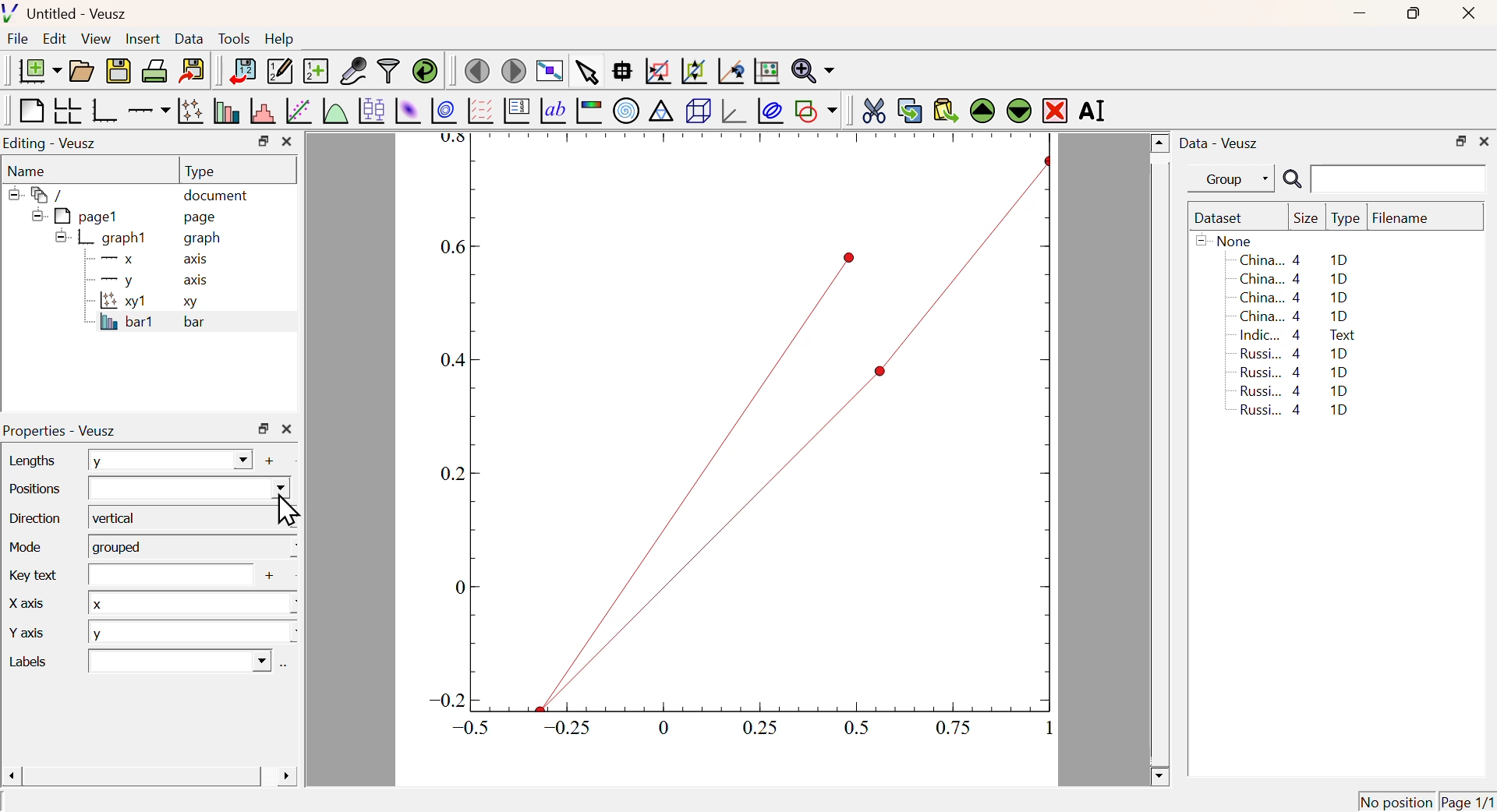  What do you see at coordinates (370, 110) in the screenshot?
I see `Plot Box Plots` at bounding box center [370, 110].